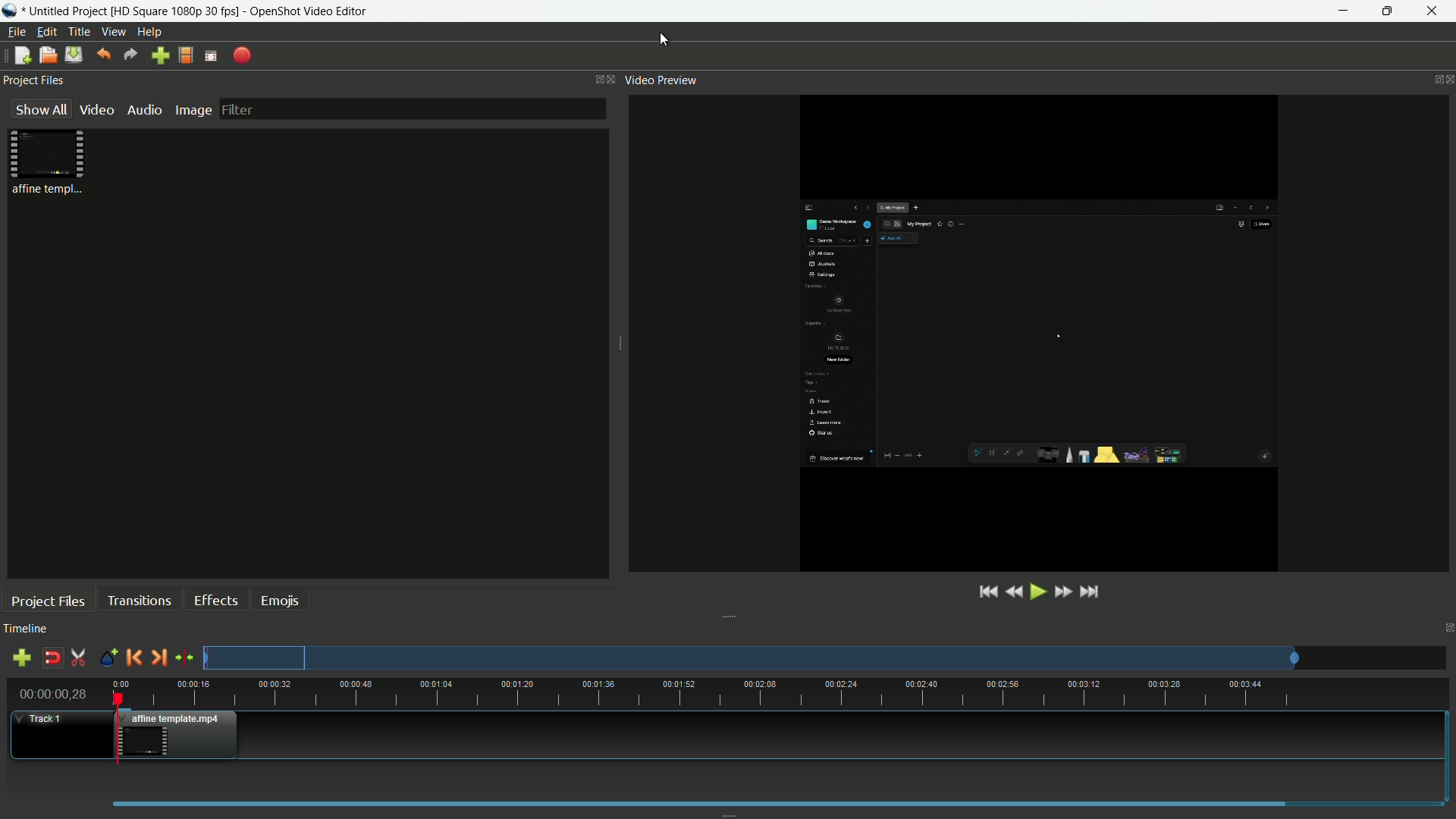 This screenshot has height=819, width=1456. I want to click on file menu, so click(16, 32).